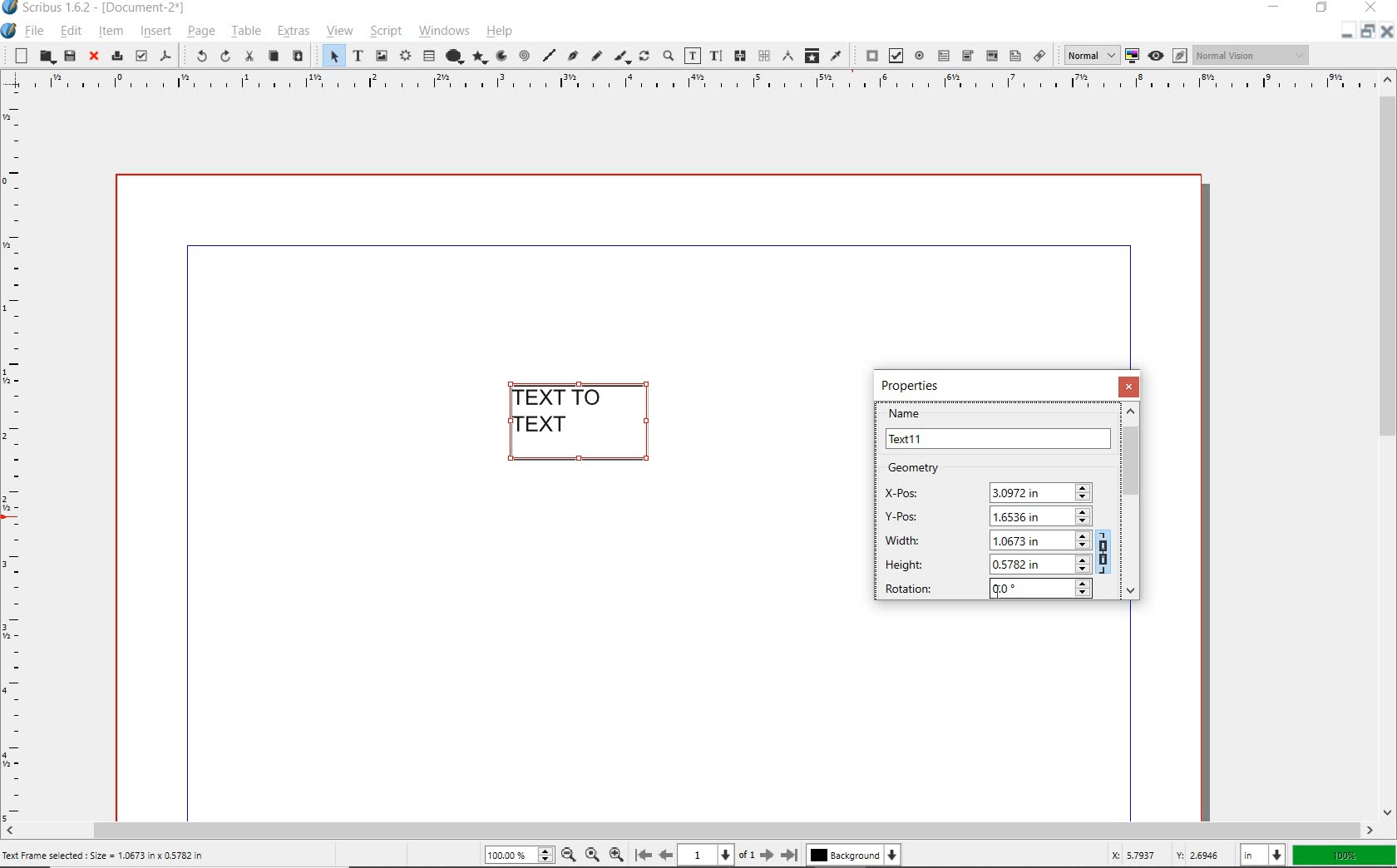 The height and width of the screenshot is (868, 1397). Describe the element at coordinates (585, 423) in the screenshot. I see `TEXT FRAME SELECTED` at that location.